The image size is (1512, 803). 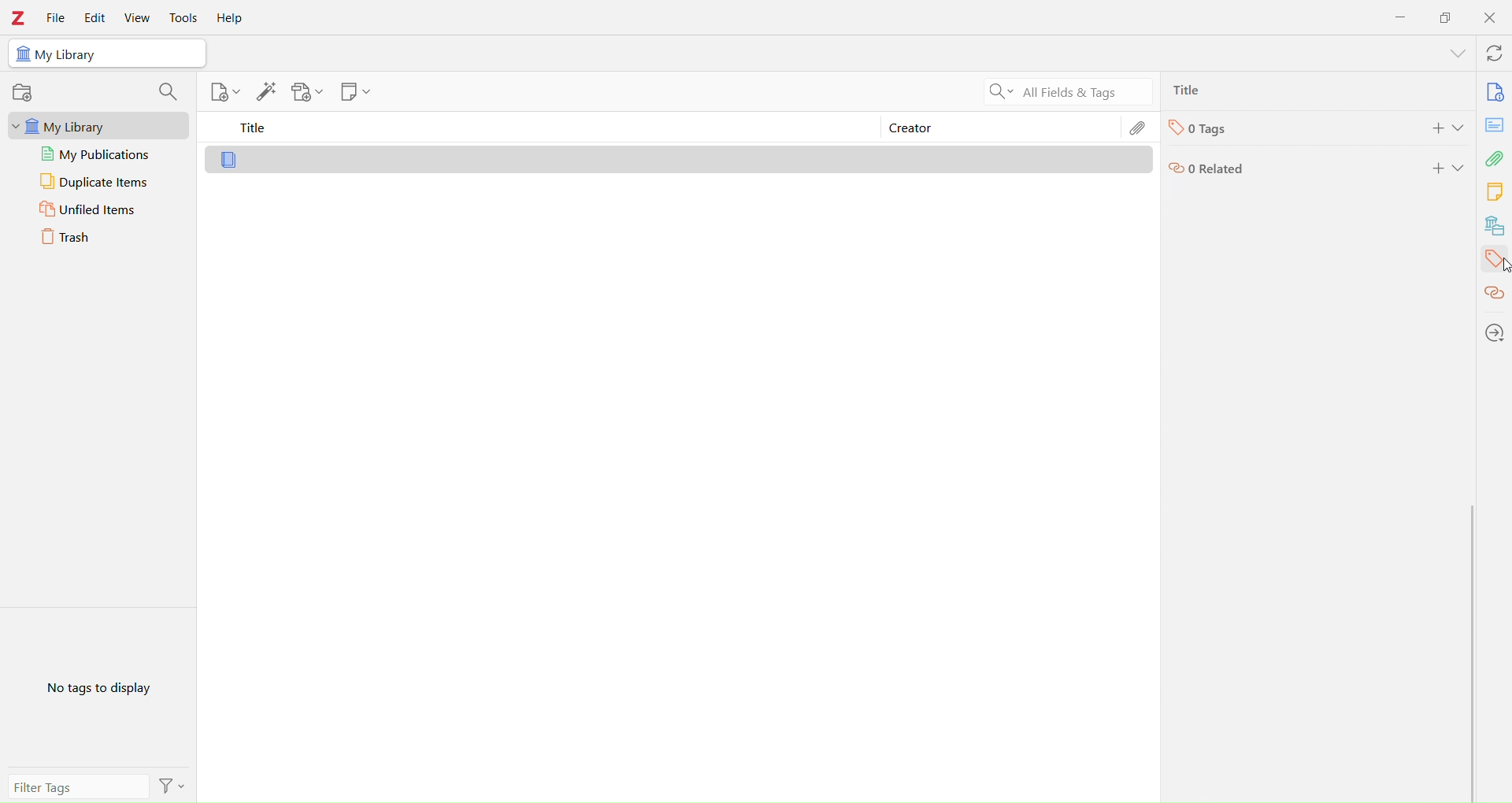 What do you see at coordinates (140, 18) in the screenshot?
I see `View` at bounding box center [140, 18].